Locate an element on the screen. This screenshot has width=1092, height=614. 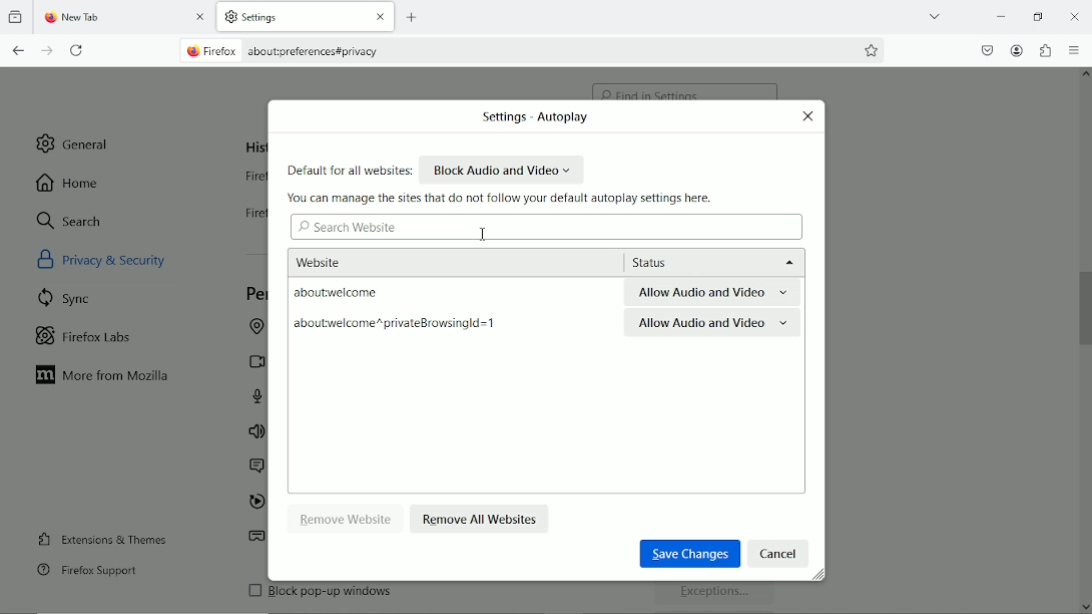
Allow Audio and Video is located at coordinates (712, 325).